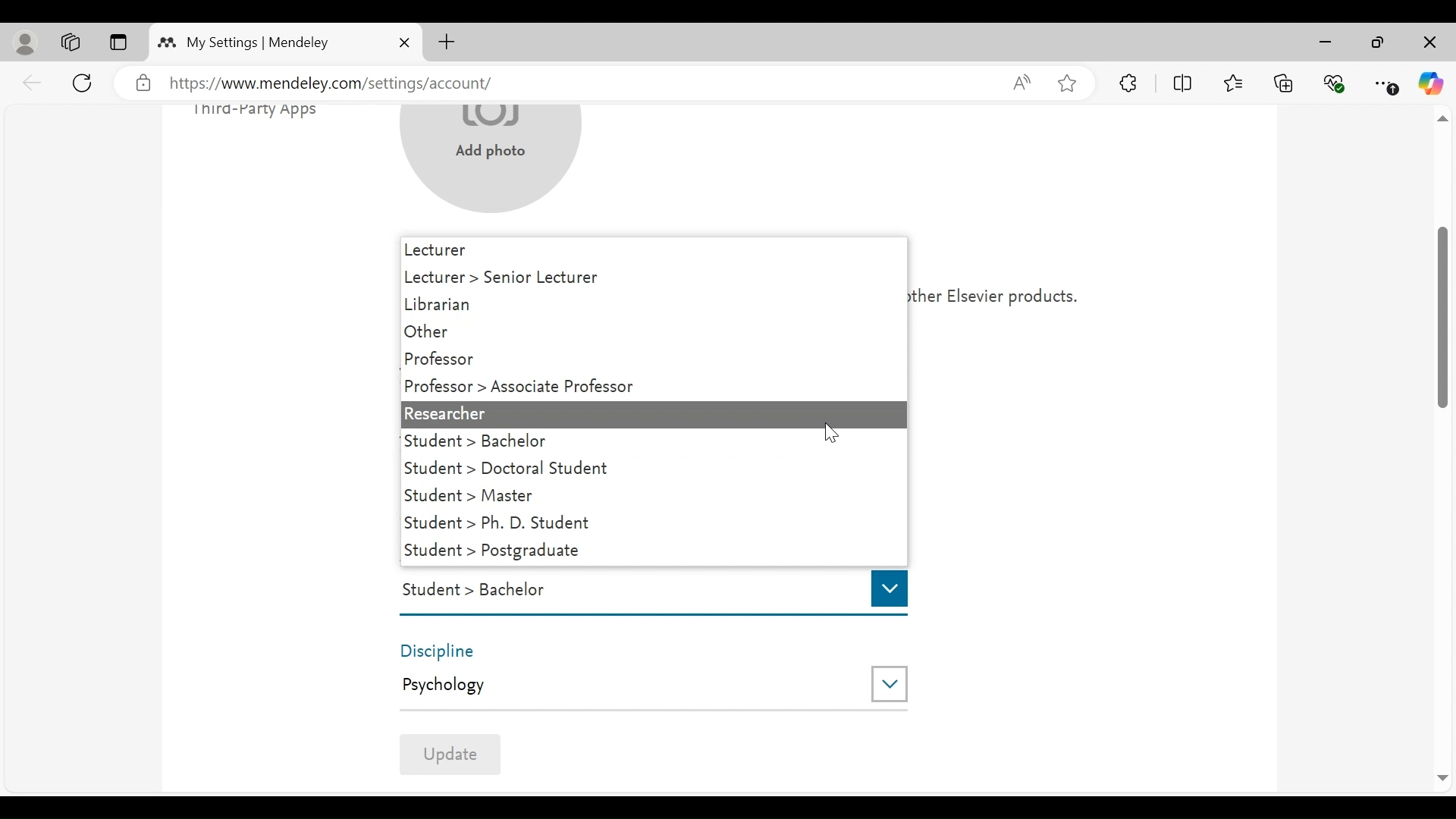 This screenshot has height=819, width=1456. I want to click on Student > Doctoral Student, so click(653, 467).